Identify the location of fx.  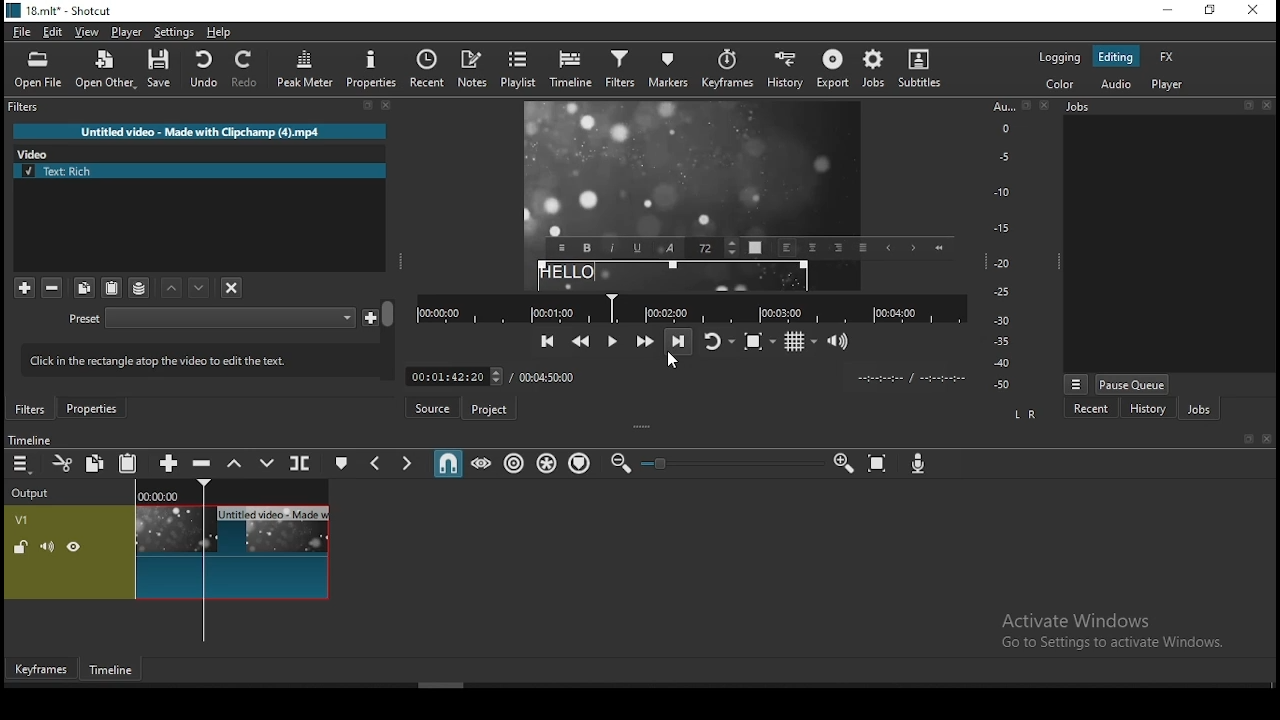
(1168, 56).